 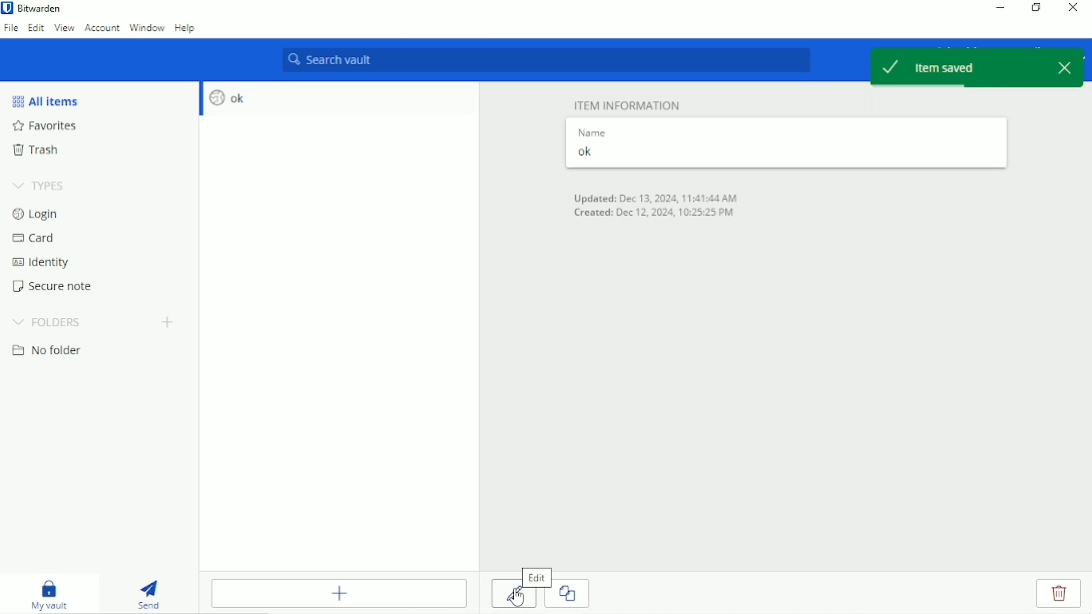 I want to click on Close, so click(x=1073, y=8).